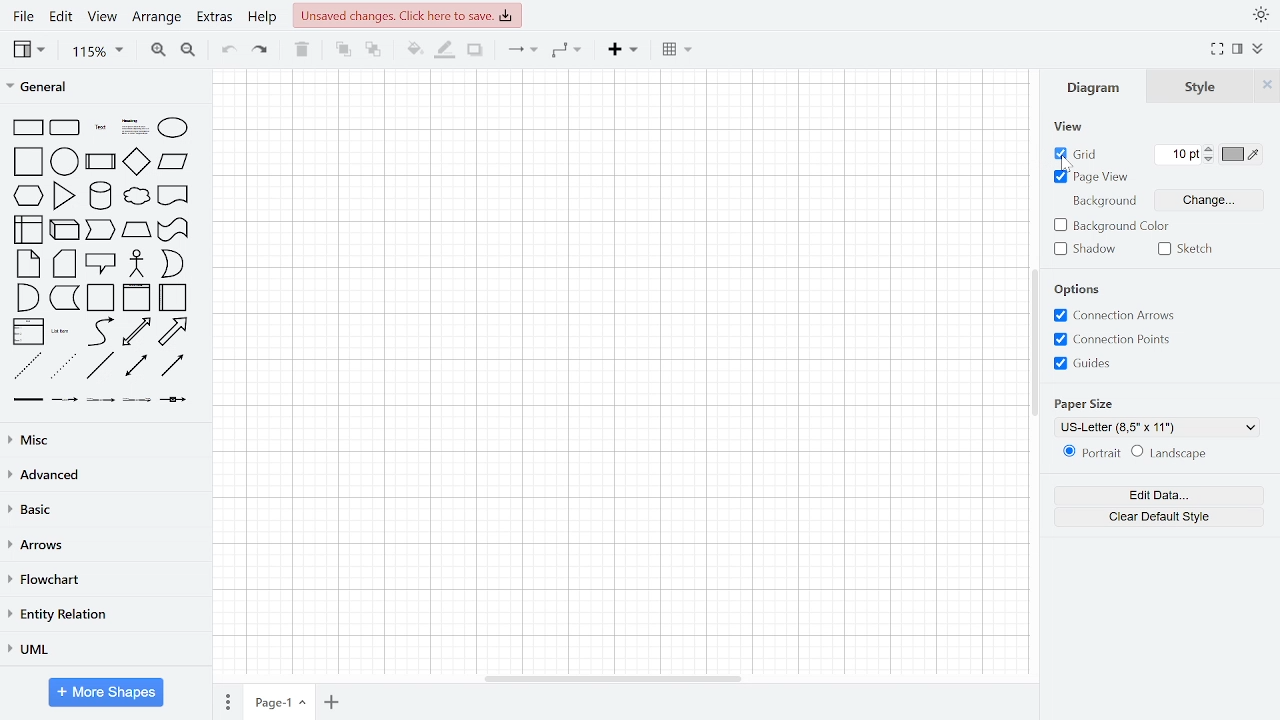  I want to click on more shapes, so click(106, 692).